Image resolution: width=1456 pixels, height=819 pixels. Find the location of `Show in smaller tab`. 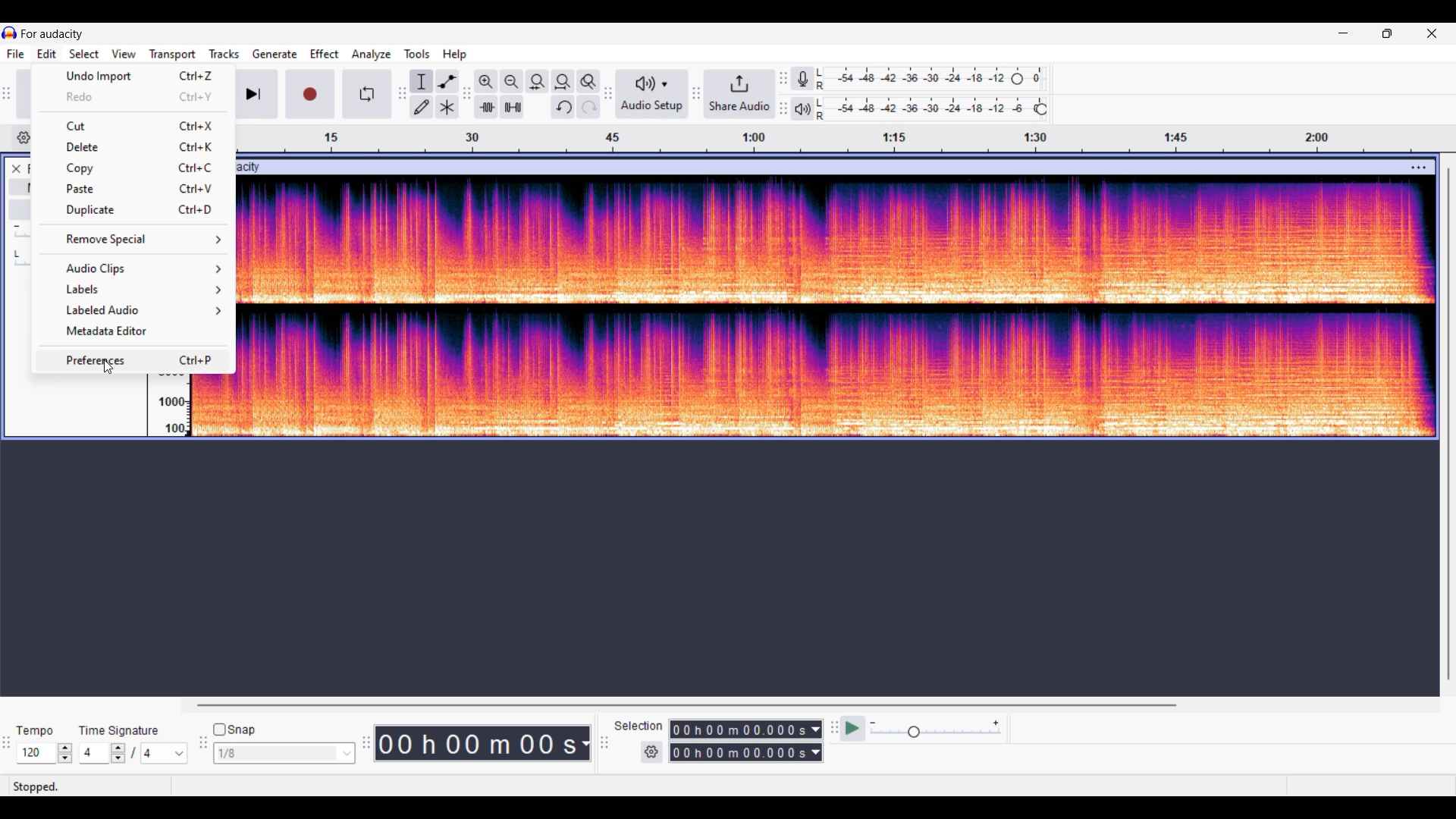

Show in smaller tab is located at coordinates (1387, 33).